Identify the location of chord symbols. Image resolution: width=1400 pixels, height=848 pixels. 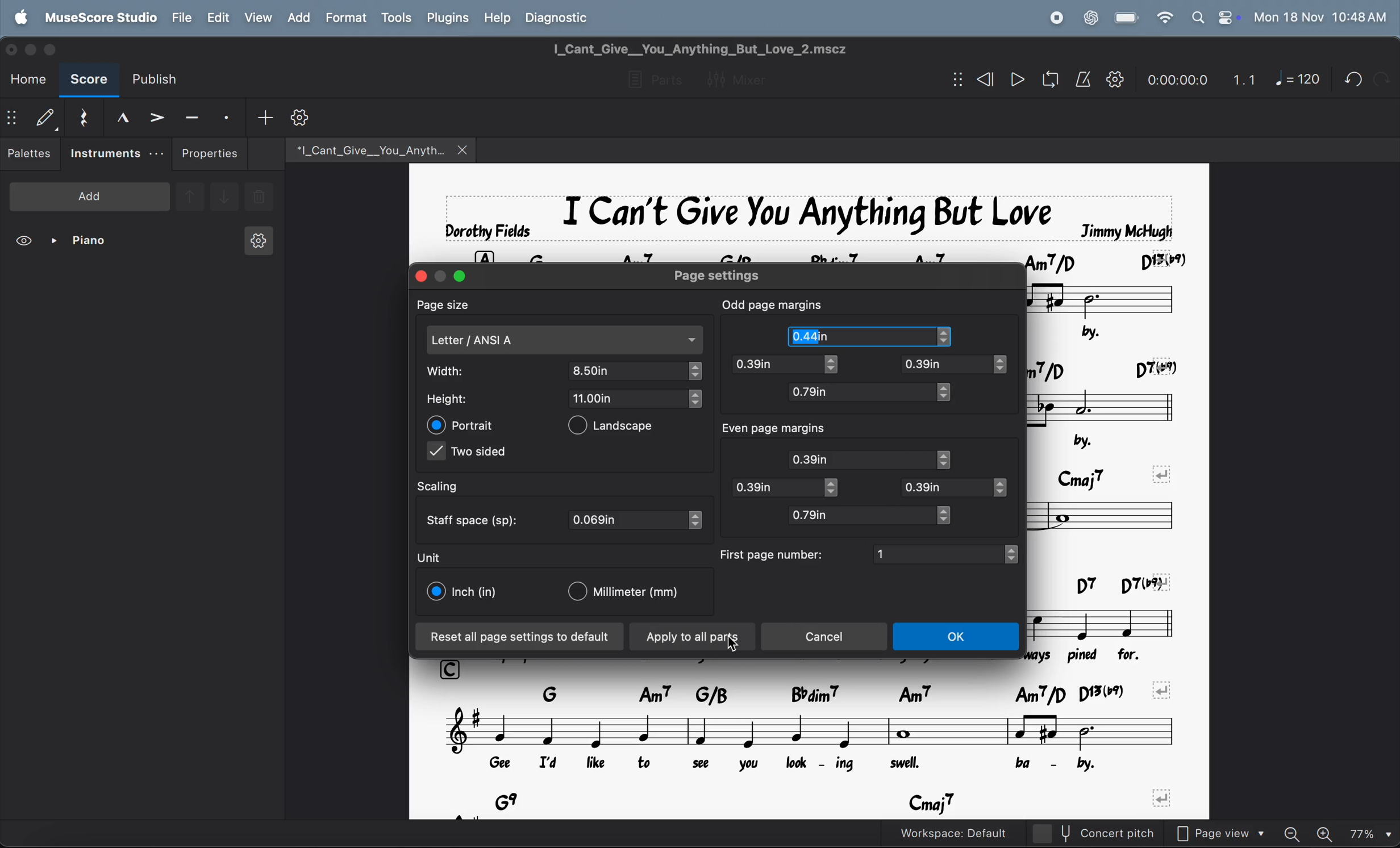
(837, 802).